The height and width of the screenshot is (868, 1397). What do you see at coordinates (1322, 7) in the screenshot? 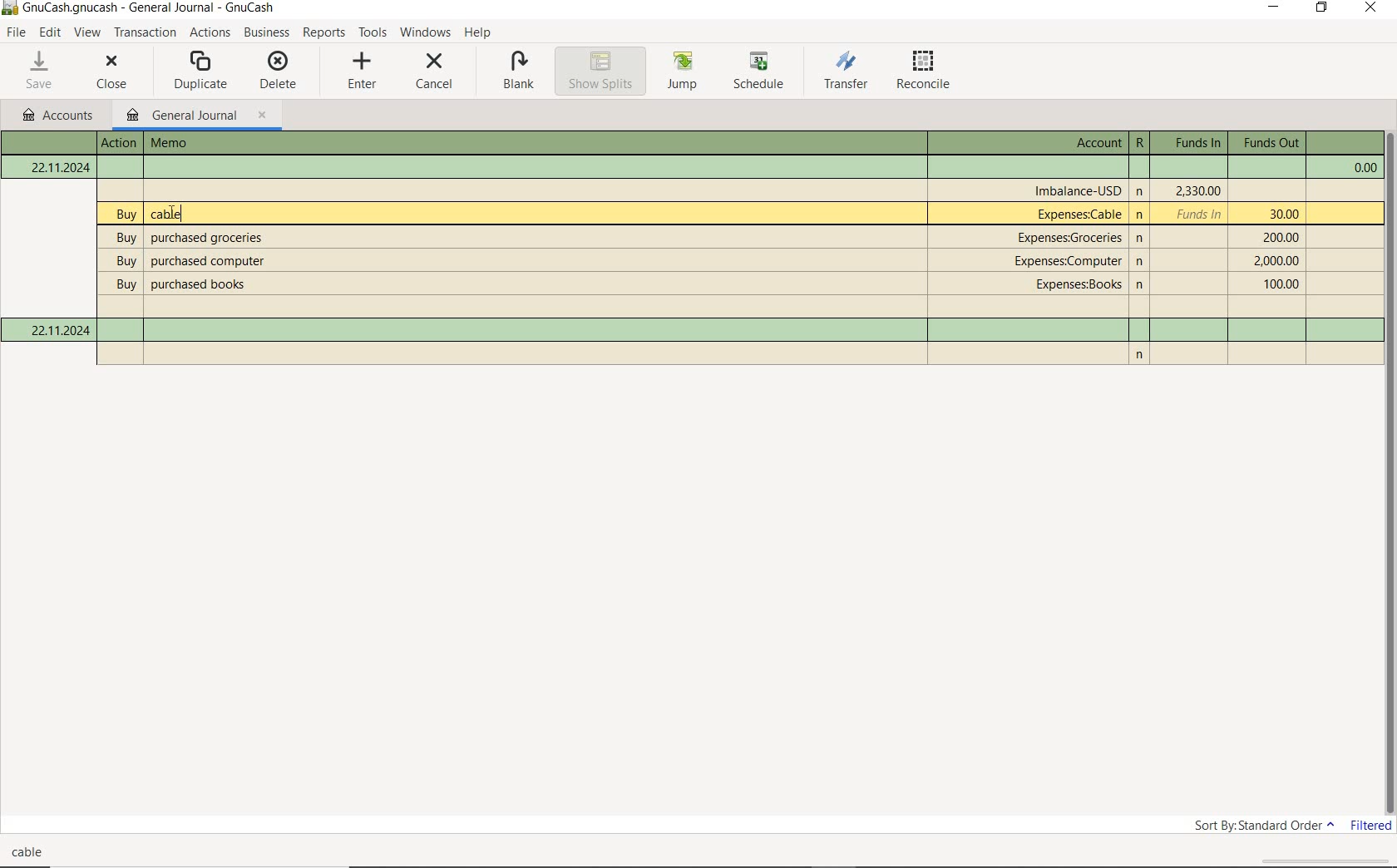
I see `RESTORE DOWN` at bounding box center [1322, 7].